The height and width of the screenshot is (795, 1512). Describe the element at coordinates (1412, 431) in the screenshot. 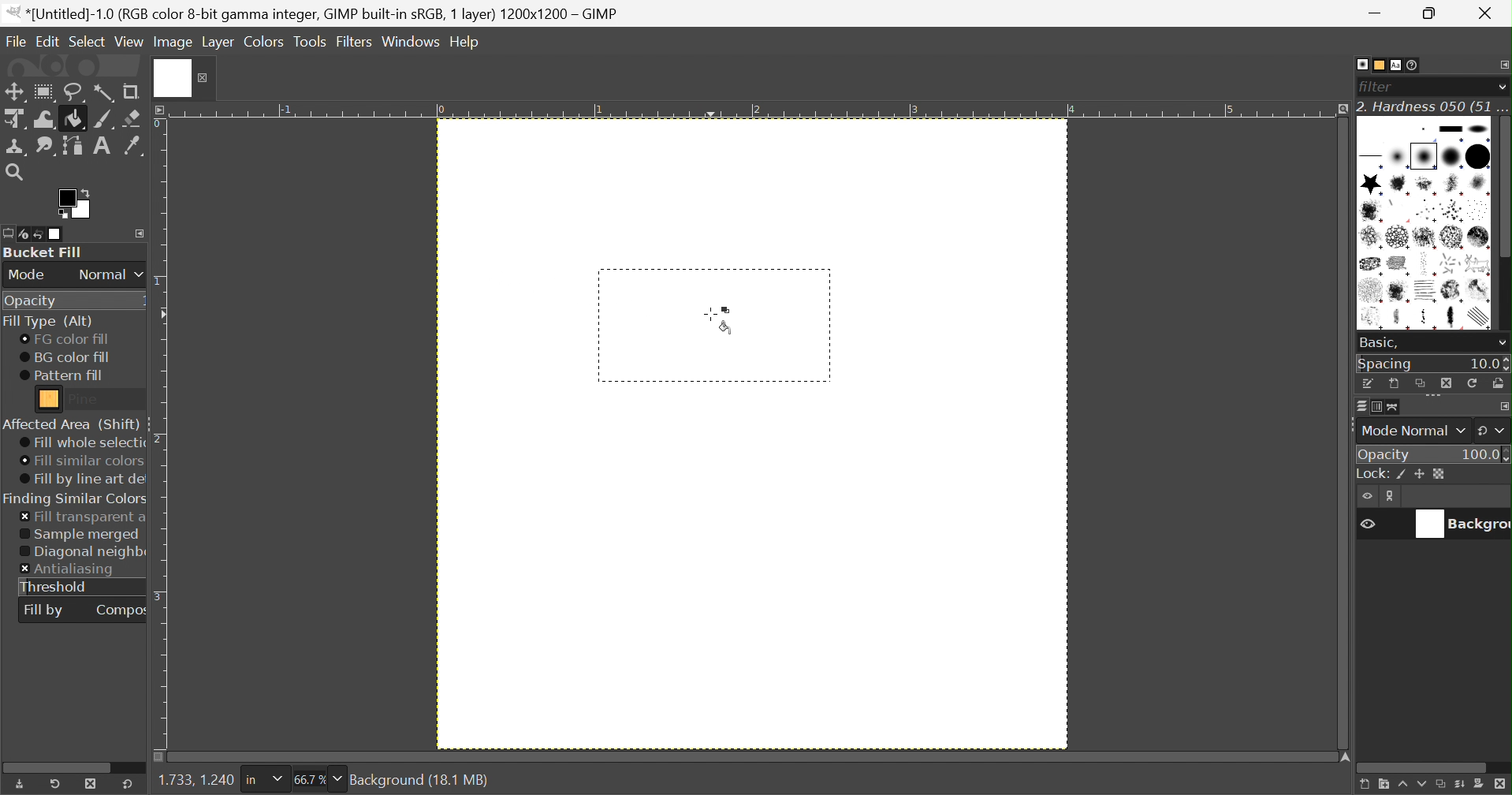

I see `Mode Normal` at that location.